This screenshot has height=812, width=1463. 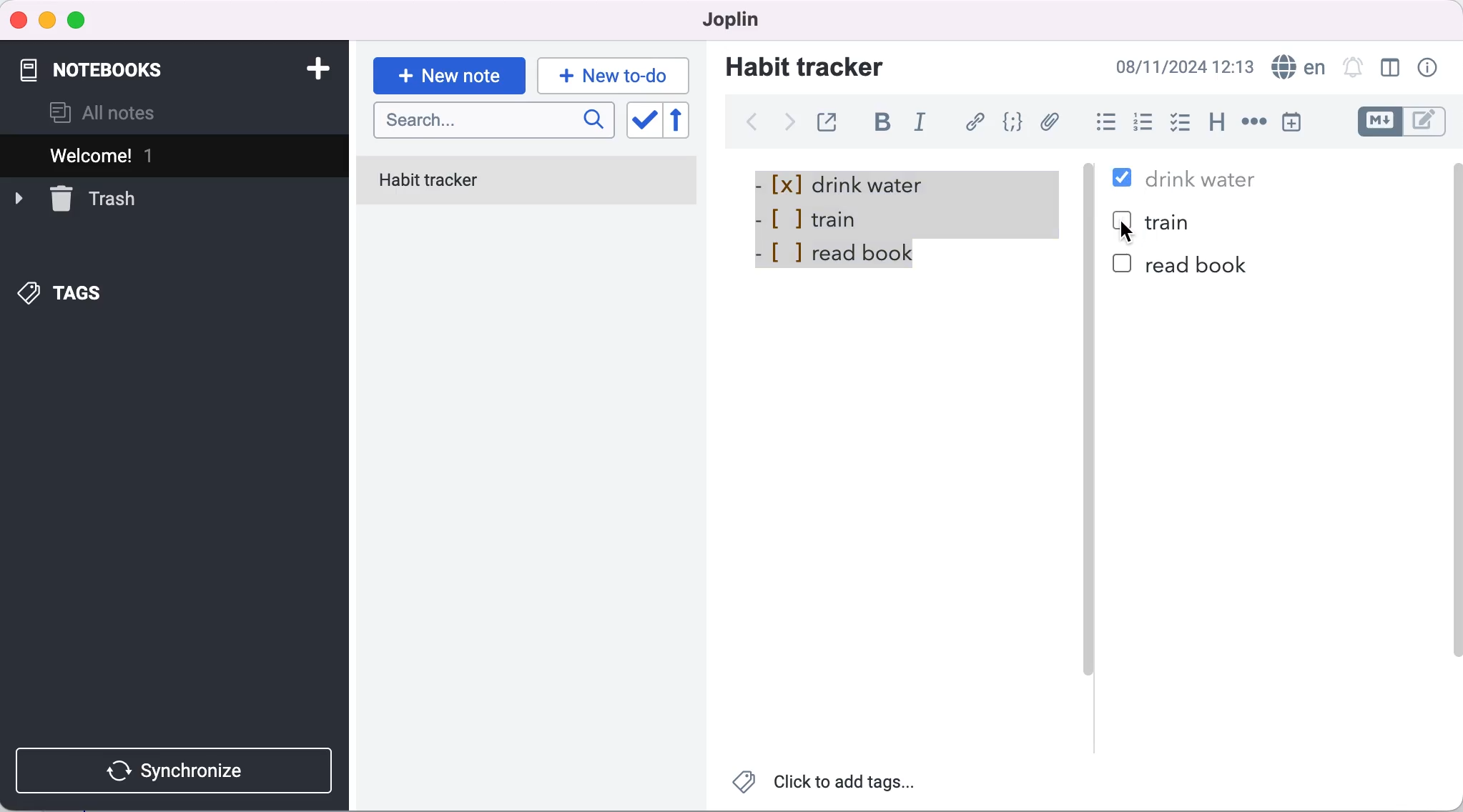 I want to click on welcome 1, so click(x=177, y=155).